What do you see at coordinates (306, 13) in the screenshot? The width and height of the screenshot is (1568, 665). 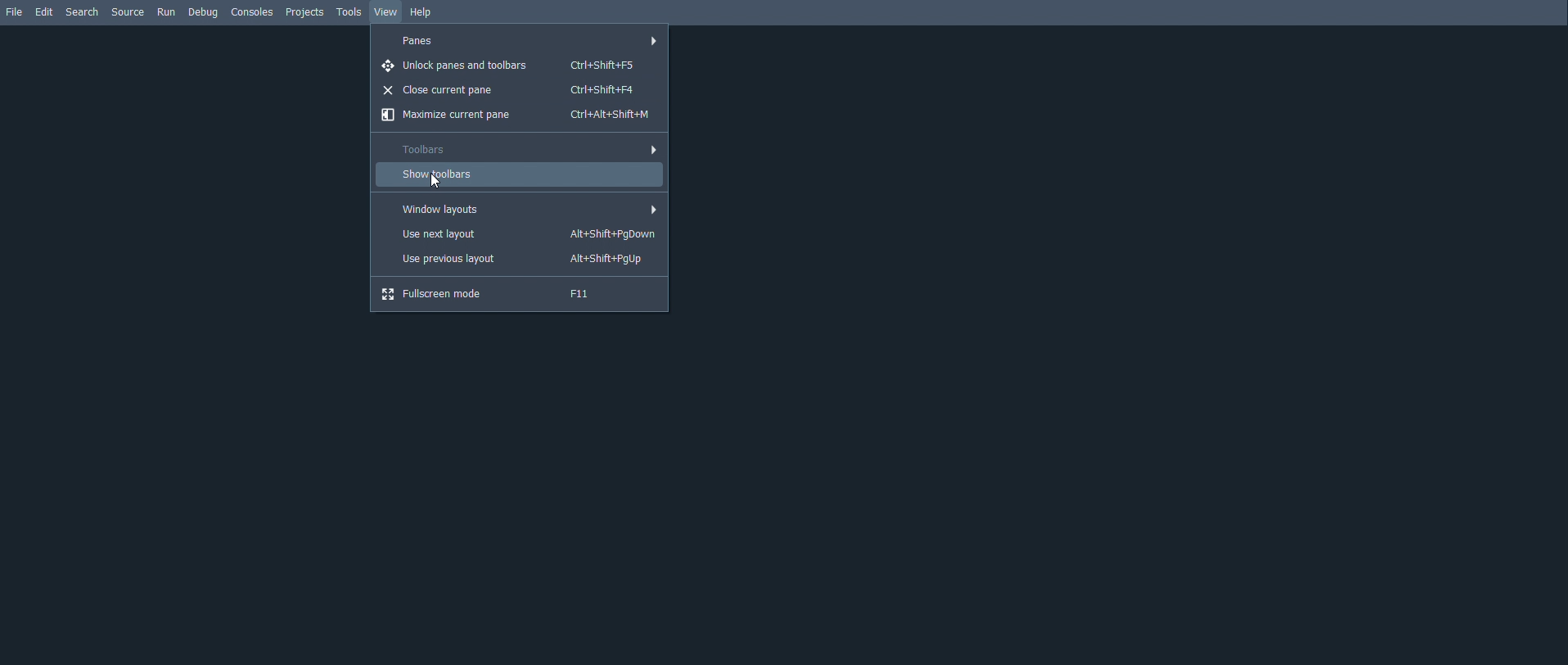 I see `Projects` at bounding box center [306, 13].